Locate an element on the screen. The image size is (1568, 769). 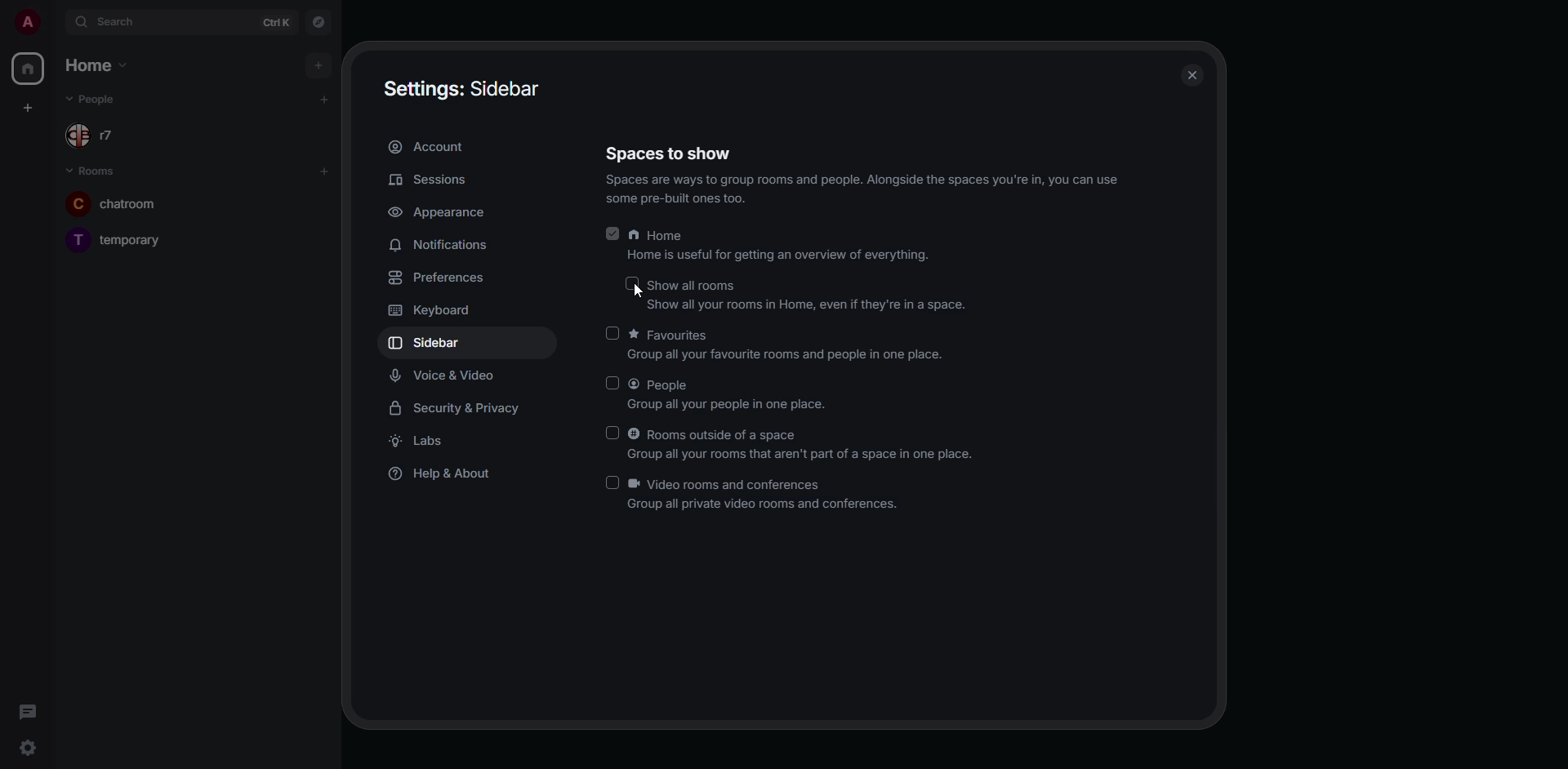
home is located at coordinates (98, 67).